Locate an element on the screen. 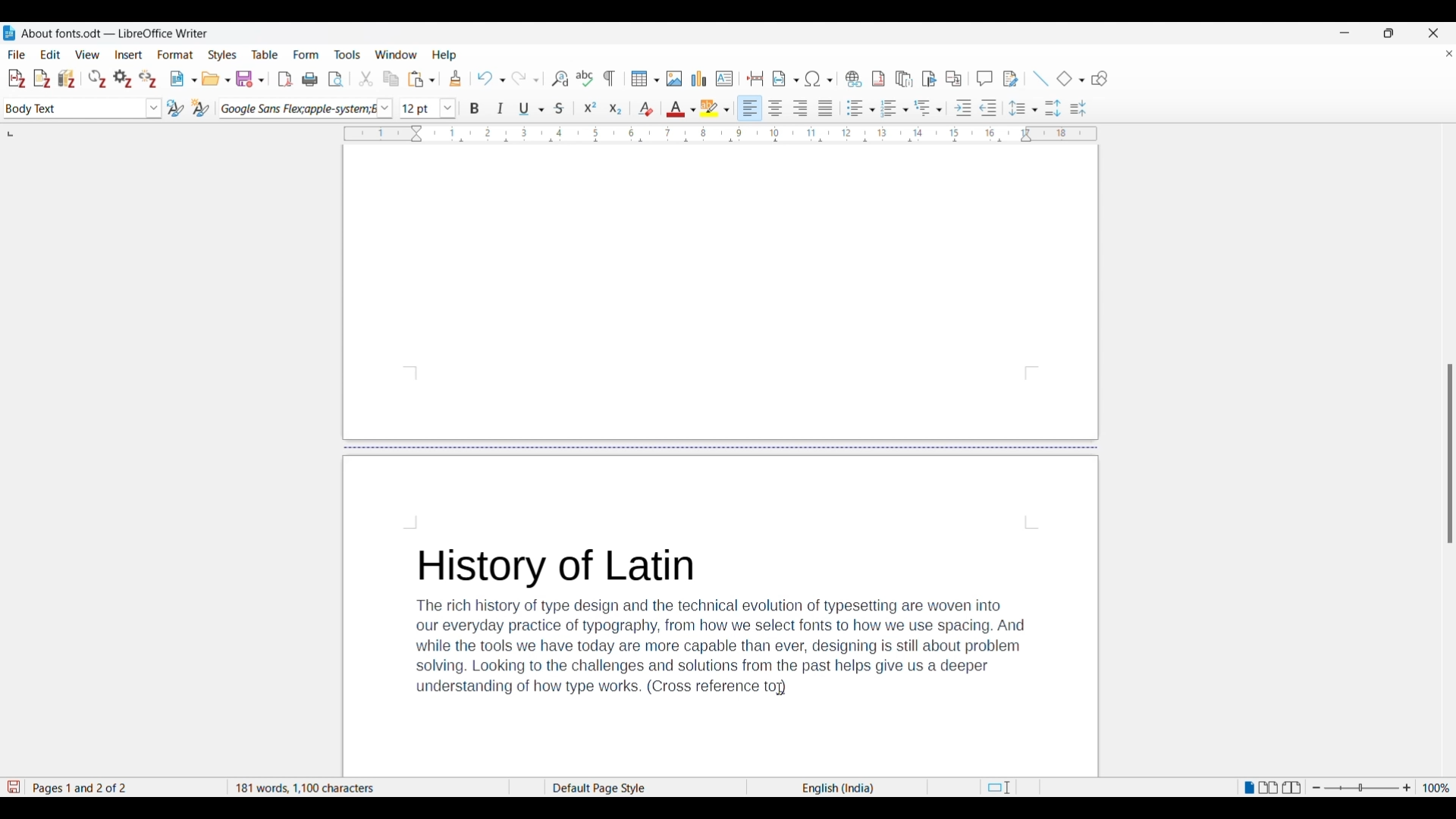 This screenshot has width=1456, height=819. Insert menu is located at coordinates (129, 55).